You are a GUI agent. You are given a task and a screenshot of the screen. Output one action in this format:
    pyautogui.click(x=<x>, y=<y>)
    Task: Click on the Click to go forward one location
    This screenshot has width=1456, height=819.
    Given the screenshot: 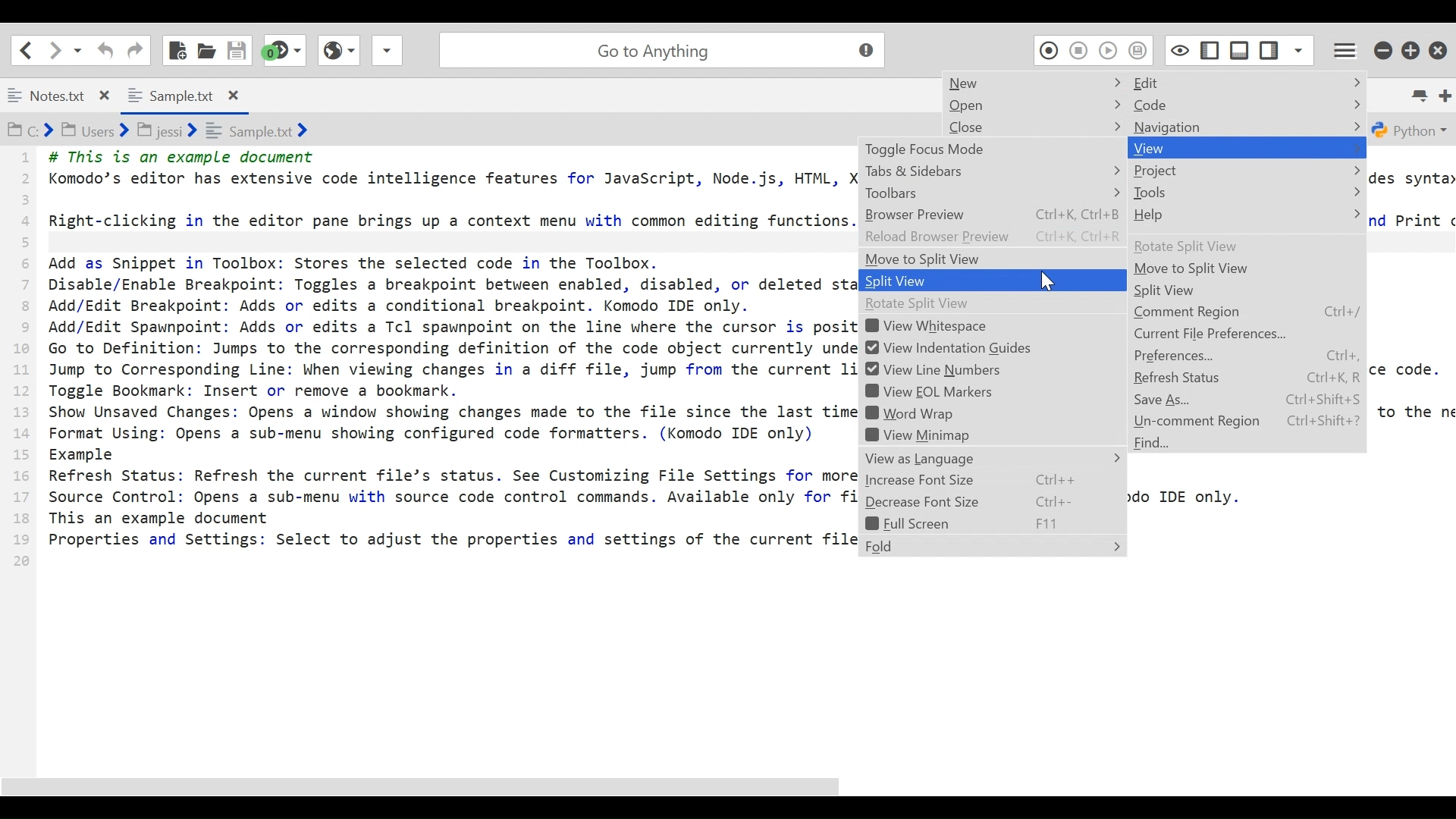 What is the action you would take?
    pyautogui.click(x=55, y=50)
    